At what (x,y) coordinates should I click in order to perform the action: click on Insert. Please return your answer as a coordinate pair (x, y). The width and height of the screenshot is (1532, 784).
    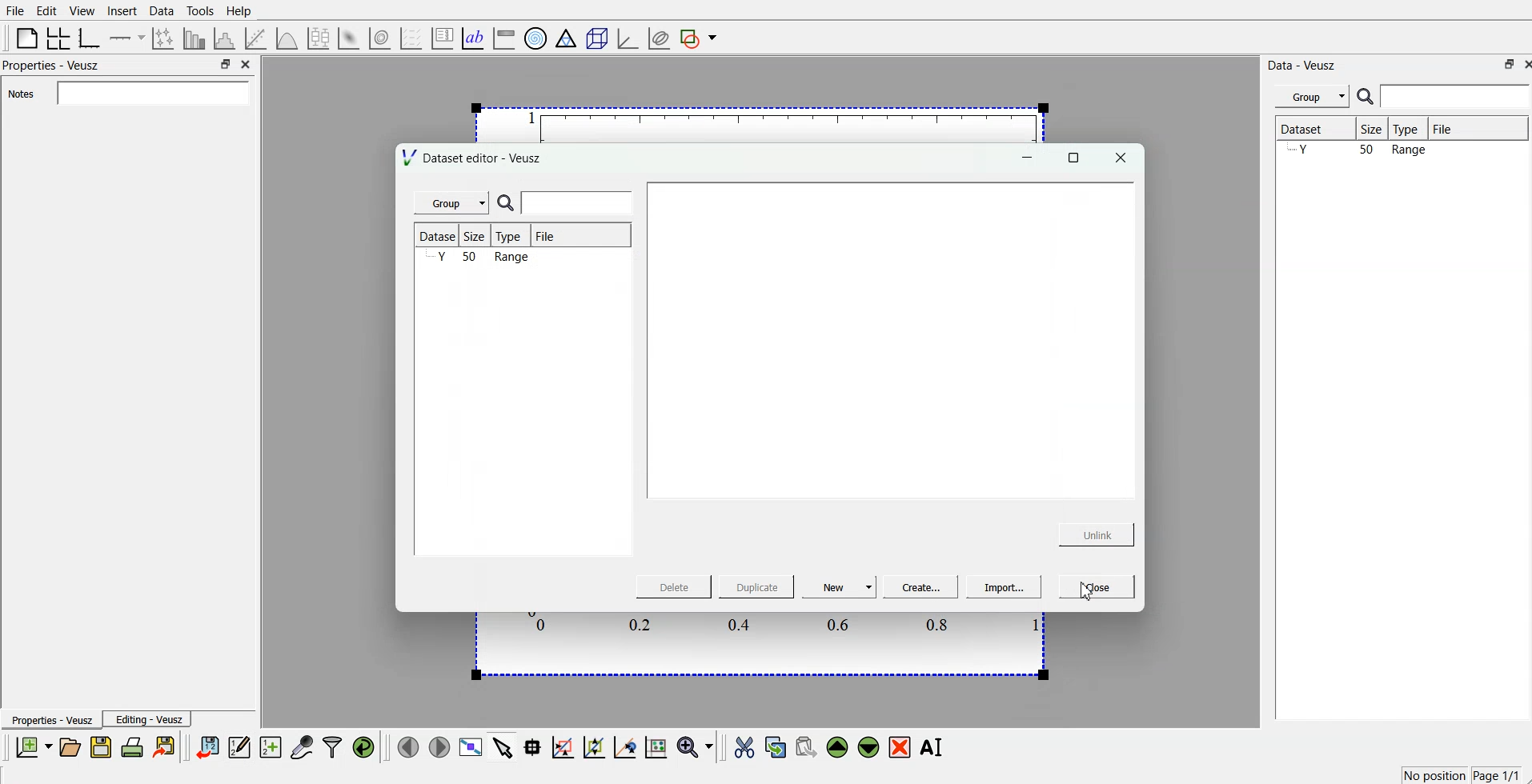
    Looking at the image, I should click on (122, 10).